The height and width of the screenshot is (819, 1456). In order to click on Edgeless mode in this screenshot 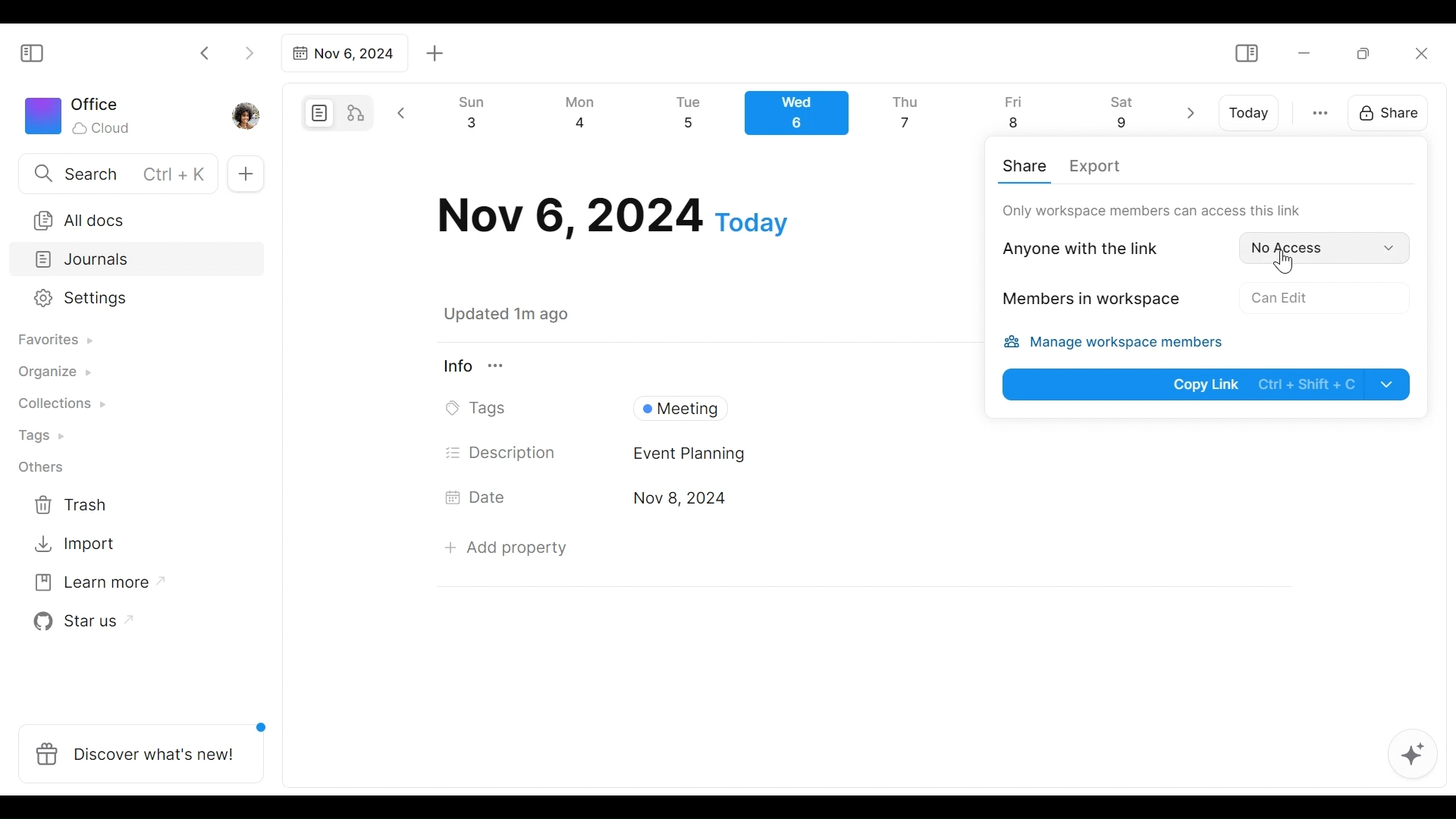, I will do `click(357, 112)`.